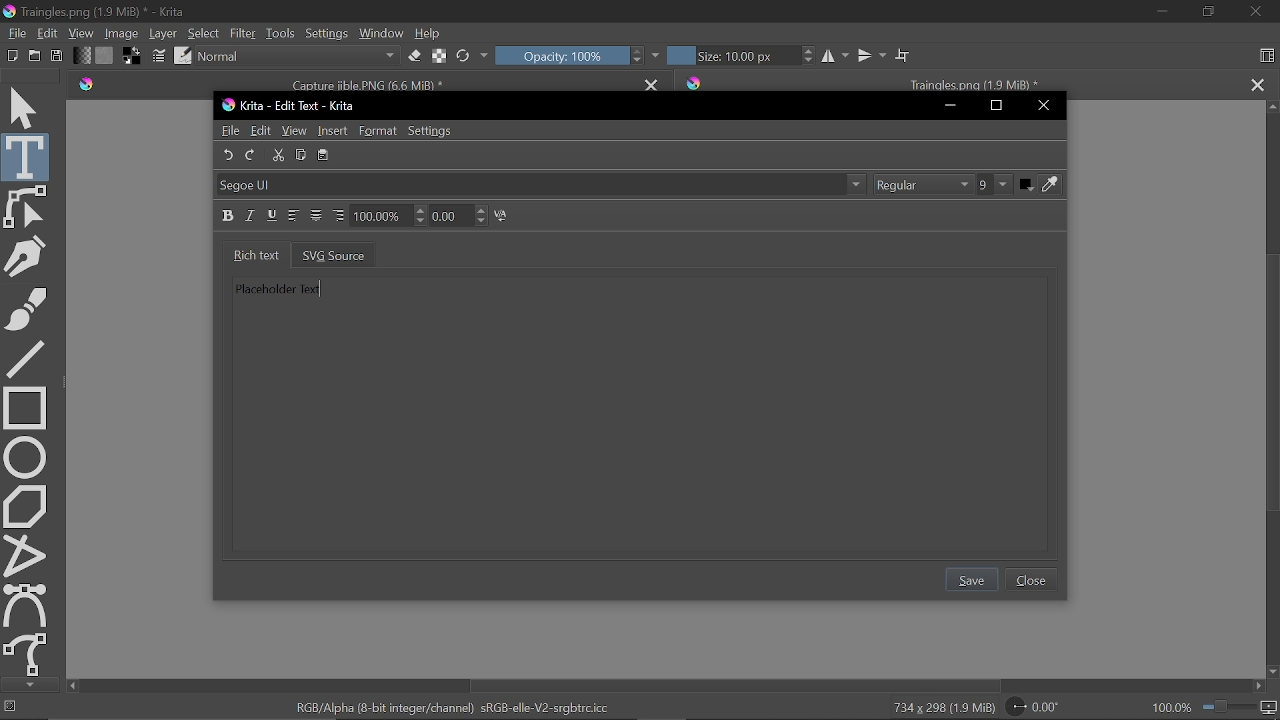 The width and height of the screenshot is (1280, 720). What do you see at coordinates (132, 56) in the screenshot?
I see `Foreground color` at bounding box center [132, 56].